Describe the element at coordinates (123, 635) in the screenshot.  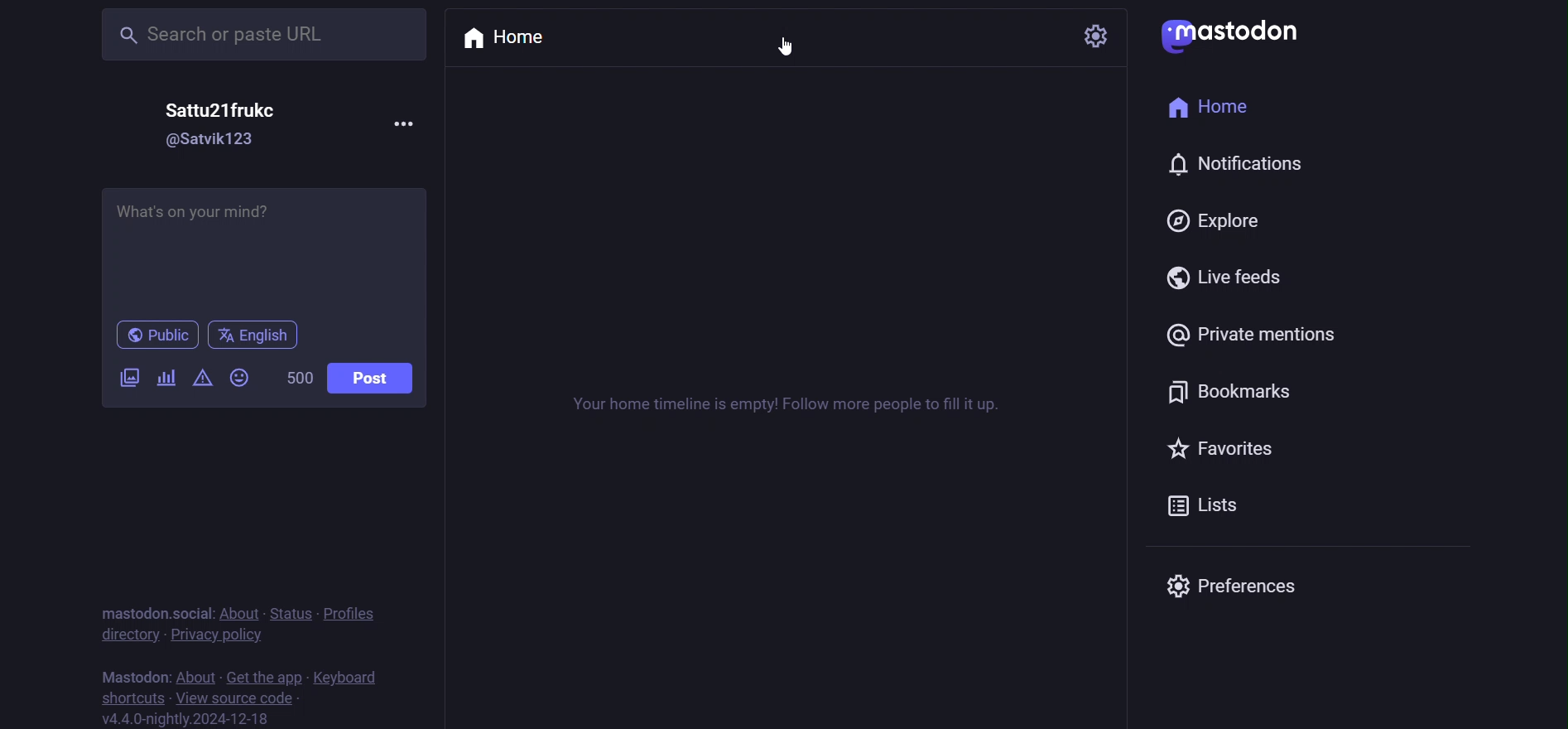
I see `directory` at that location.